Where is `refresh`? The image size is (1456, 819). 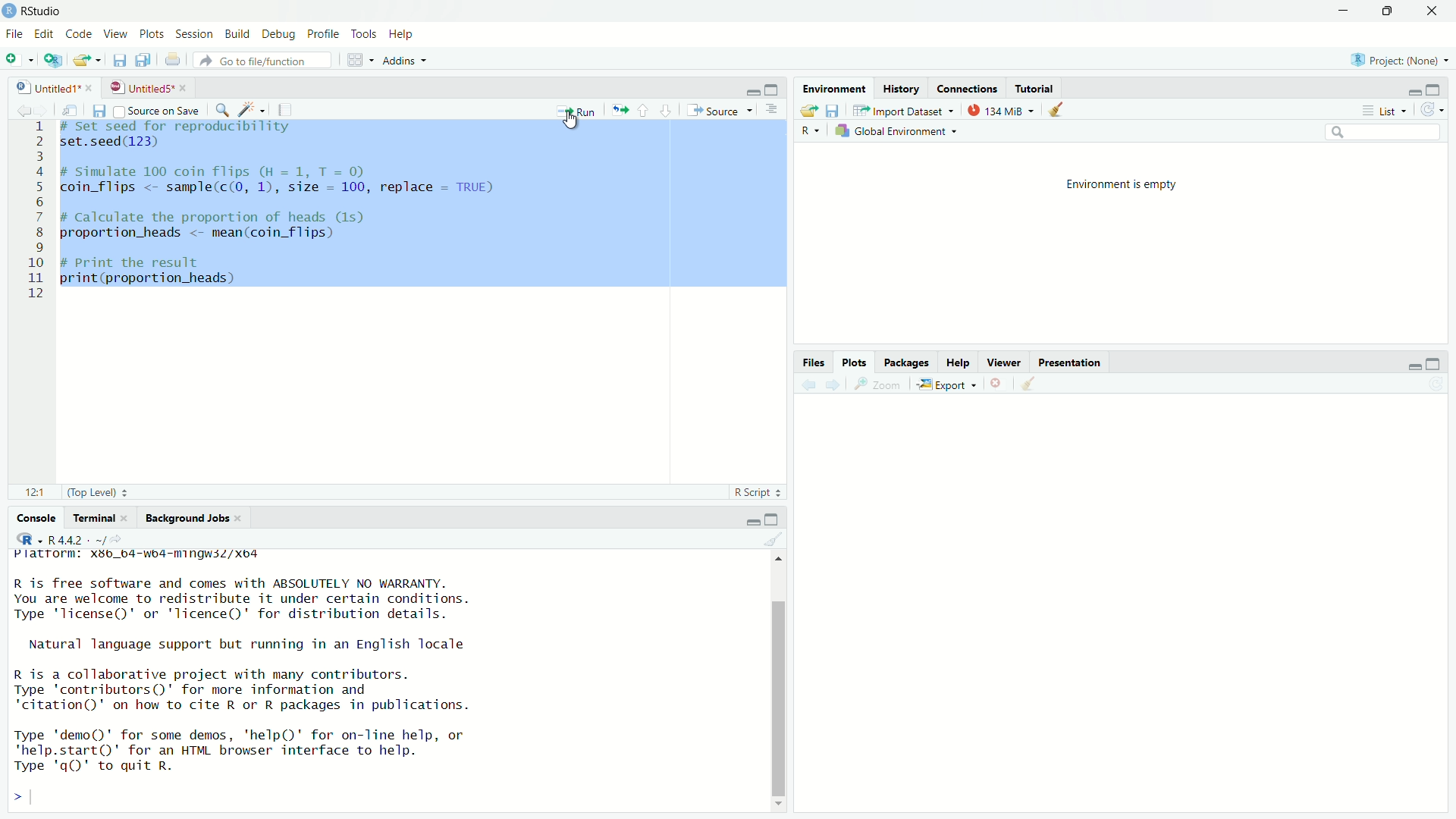 refresh is located at coordinates (1439, 110).